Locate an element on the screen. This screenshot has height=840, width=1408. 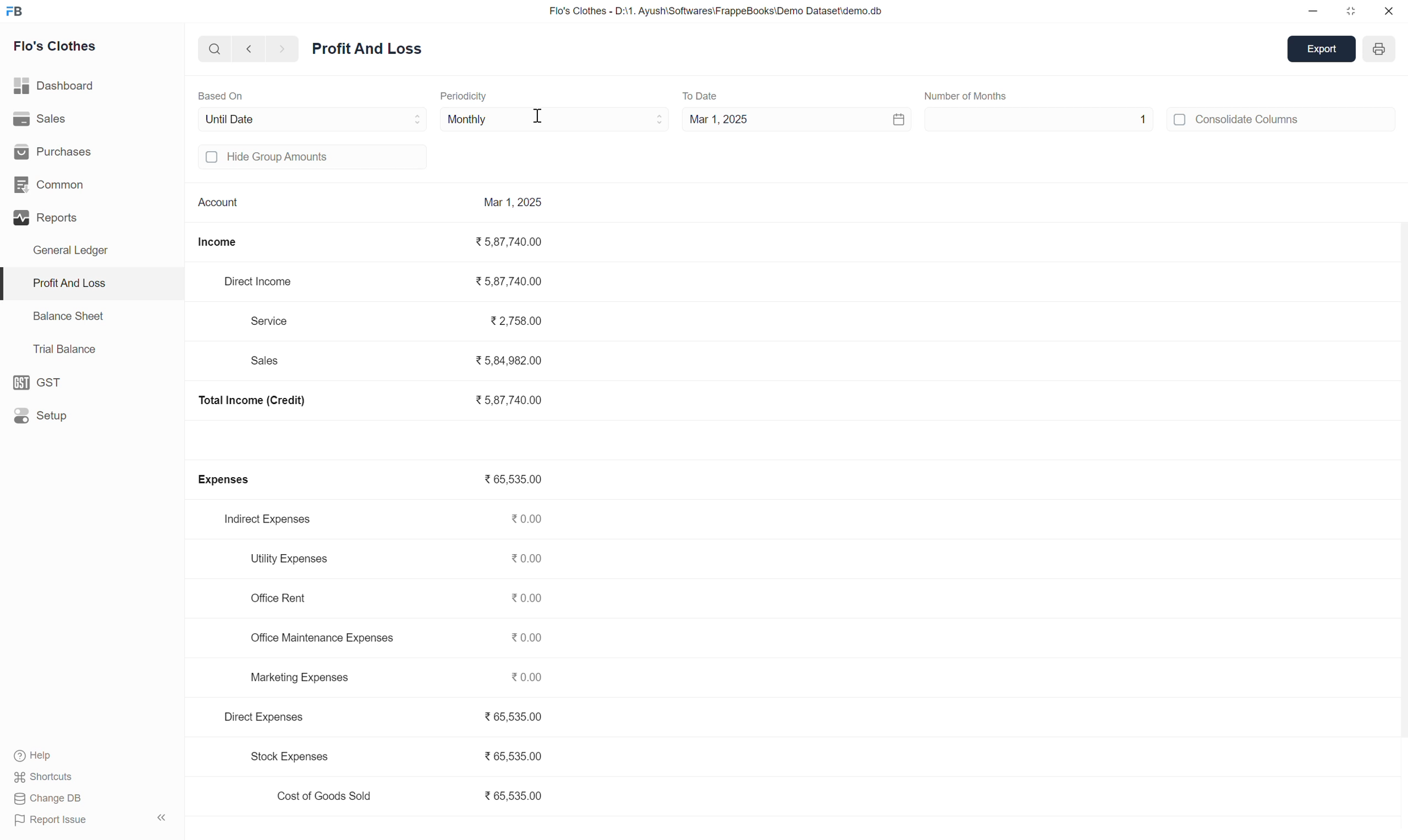
Consolidate Columns is located at coordinates (1239, 122).